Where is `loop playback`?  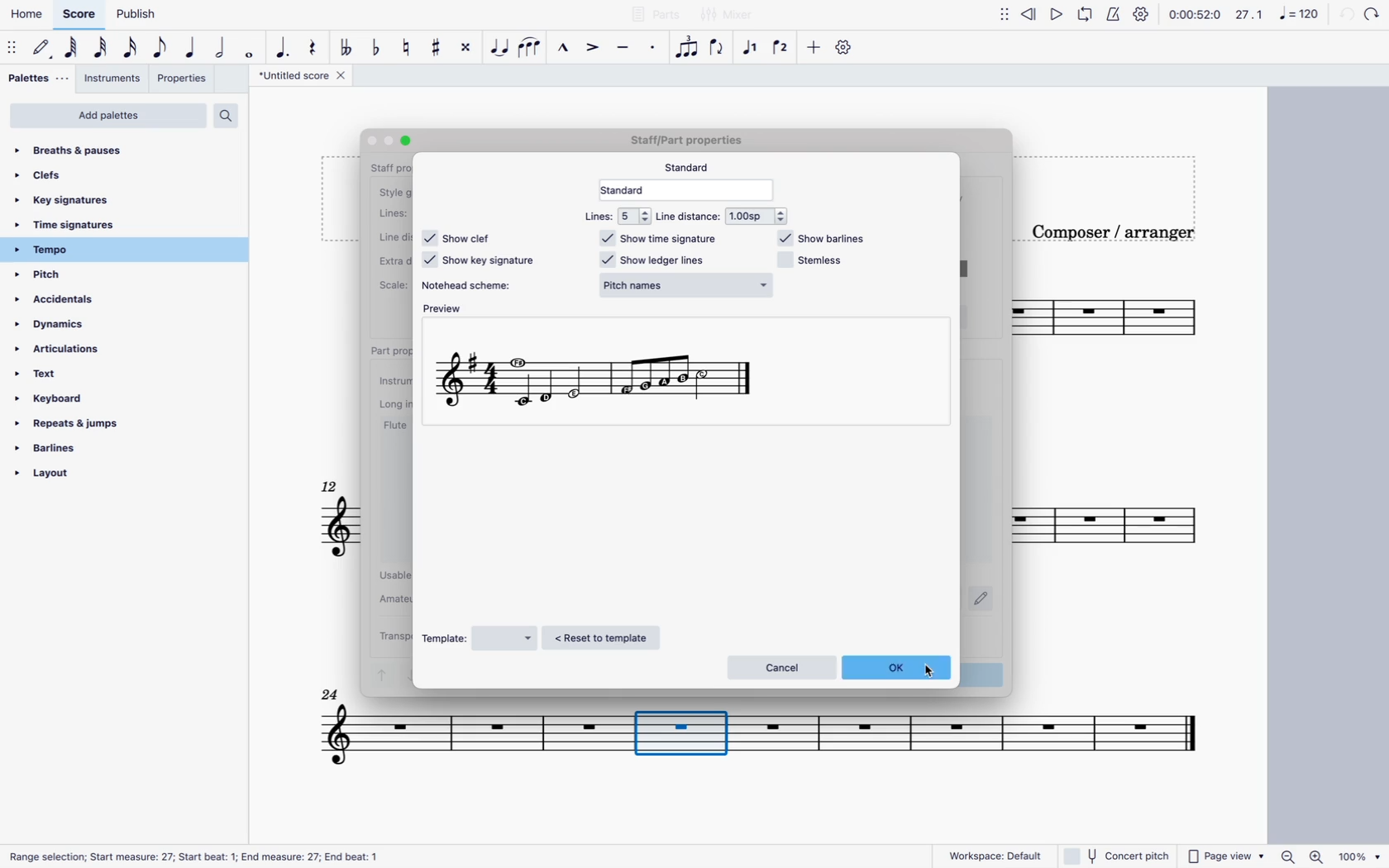 loop playback is located at coordinates (1086, 13).